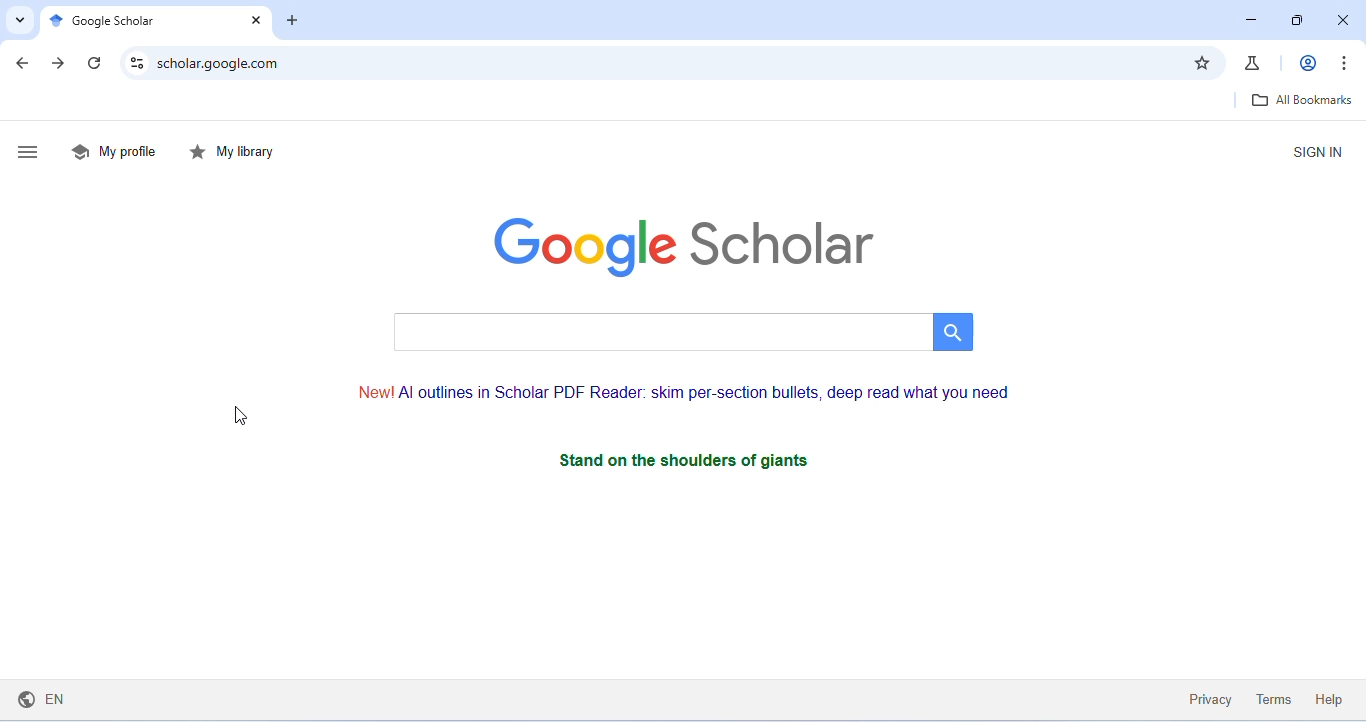 The width and height of the screenshot is (1366, 722). I want to click on go forward, so click(60, 63).